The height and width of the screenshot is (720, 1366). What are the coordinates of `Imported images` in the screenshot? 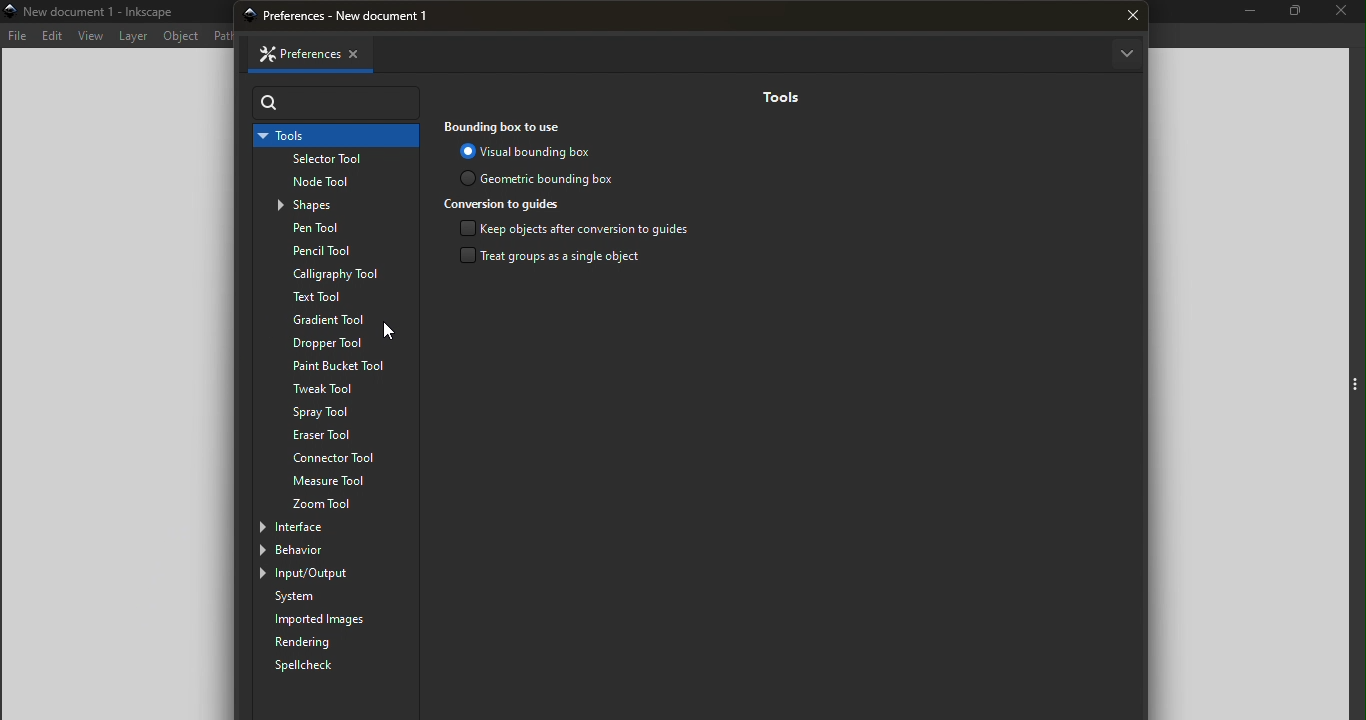 It's located at (339, 620).